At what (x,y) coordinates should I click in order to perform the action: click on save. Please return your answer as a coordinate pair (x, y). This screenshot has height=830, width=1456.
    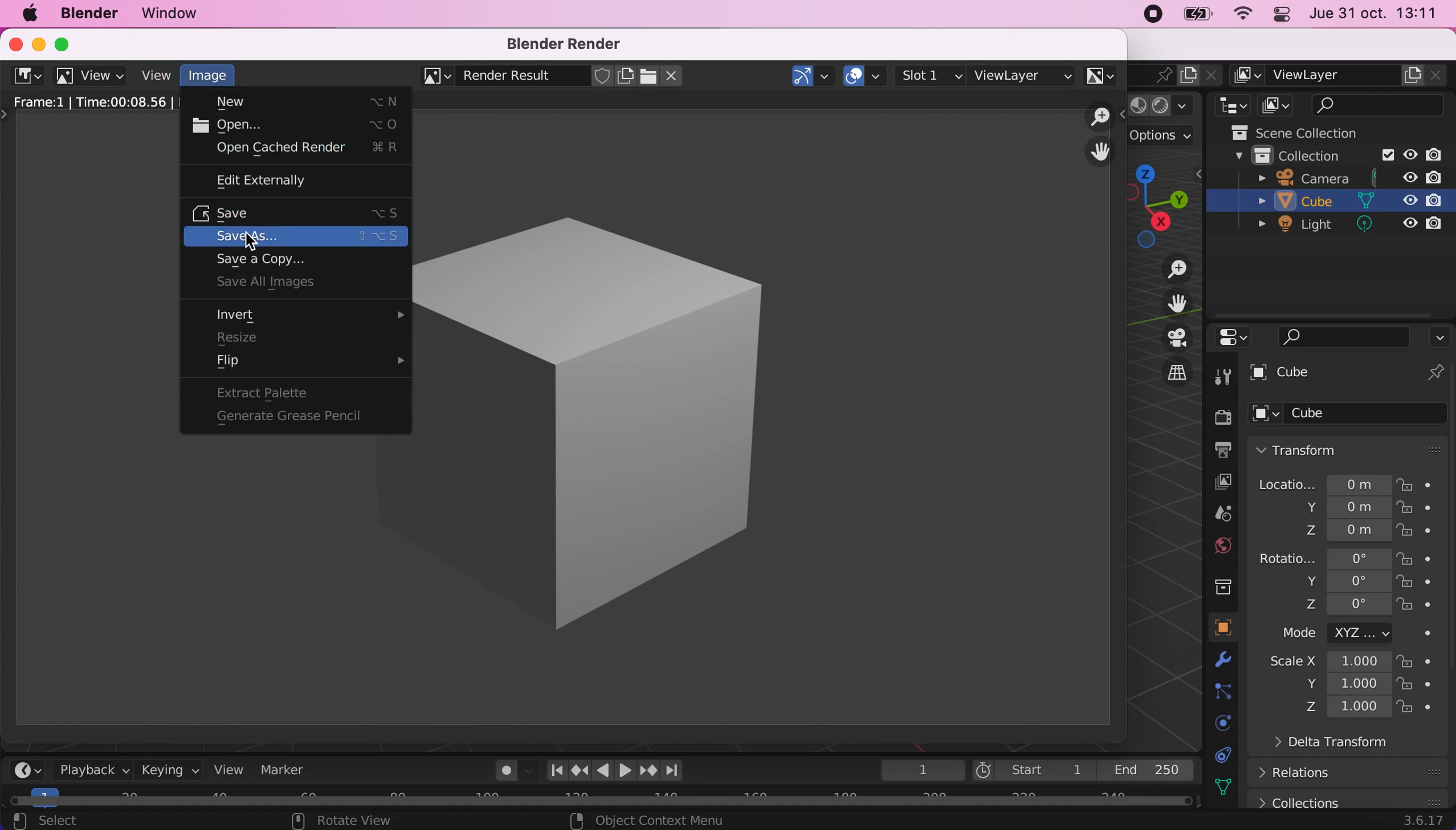
    Looking at the image, I should click on (301, 211).